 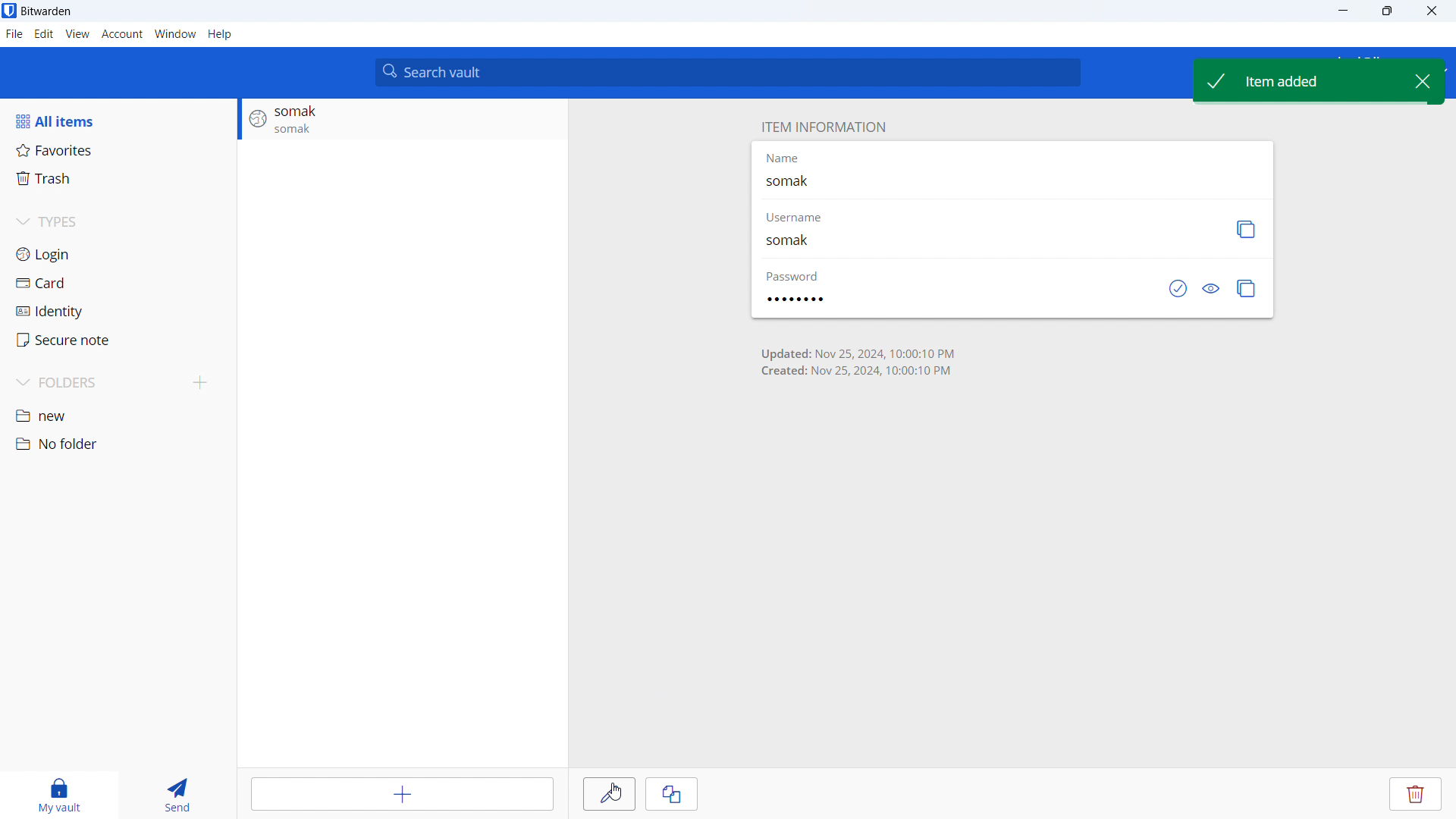 I want to click on username, so click(x=795, y=215).